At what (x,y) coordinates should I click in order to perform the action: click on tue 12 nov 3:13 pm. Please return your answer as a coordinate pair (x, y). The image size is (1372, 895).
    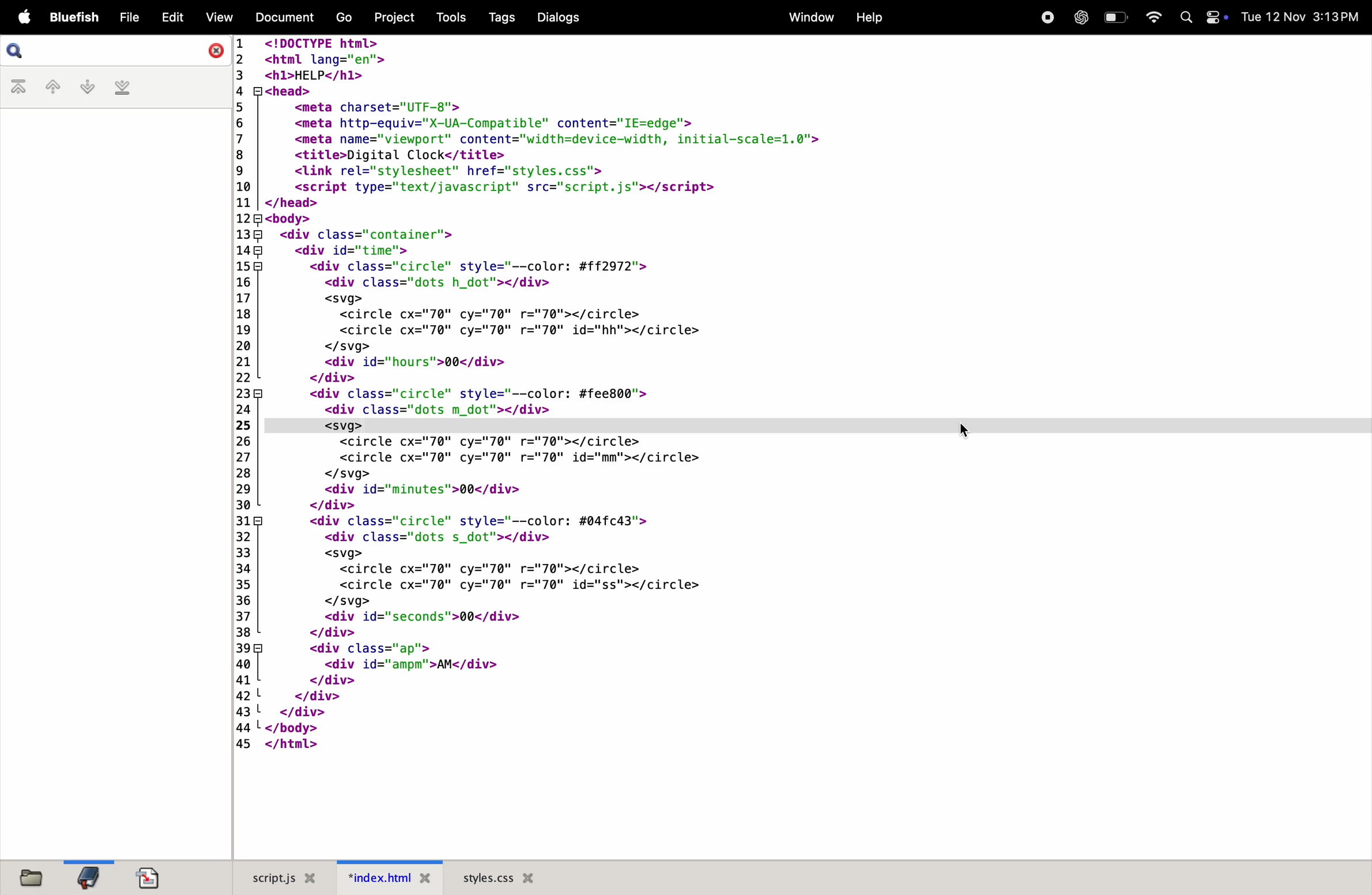
    Looking at the image, I should click on (1301, 17).